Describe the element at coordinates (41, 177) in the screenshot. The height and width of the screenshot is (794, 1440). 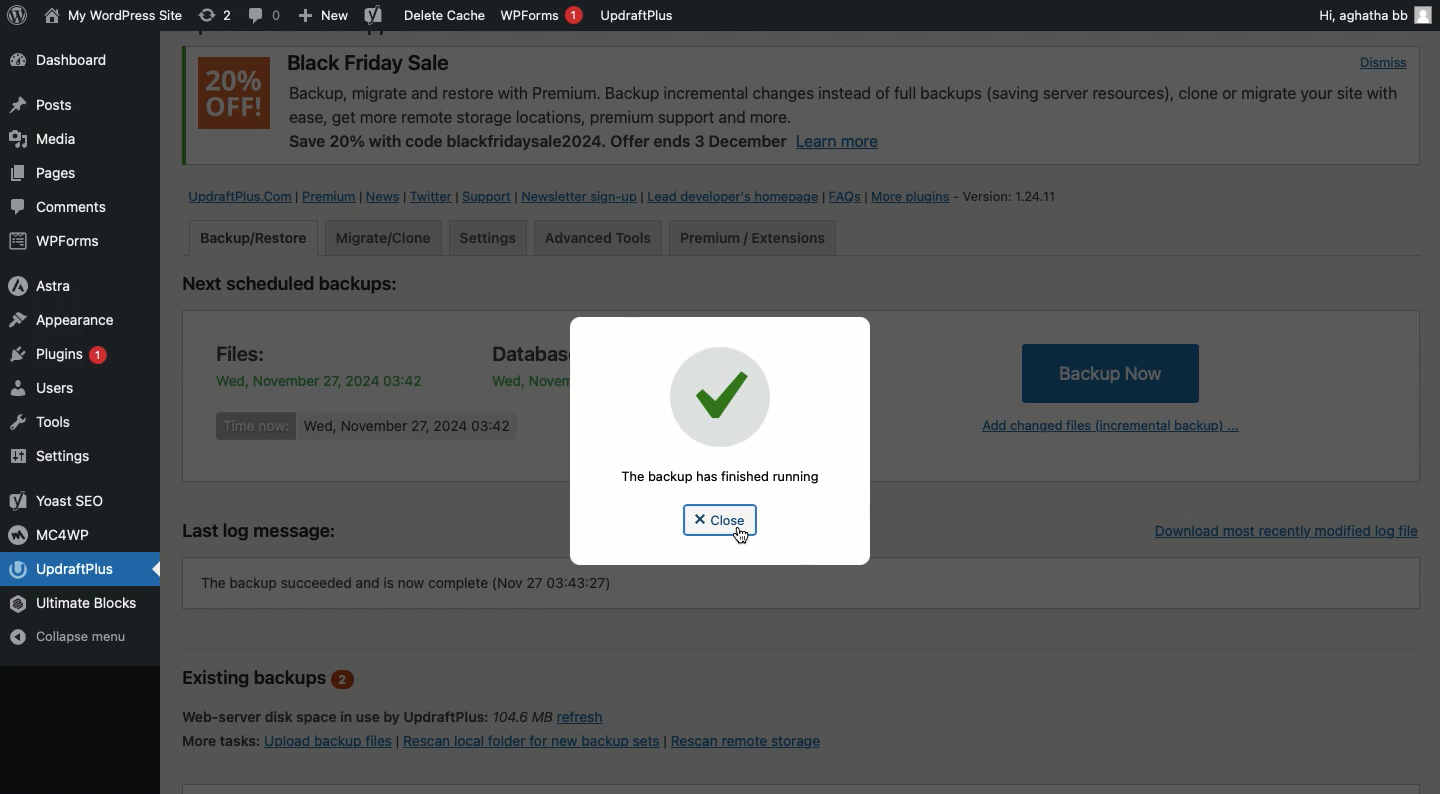
I see `Posts` at that location.